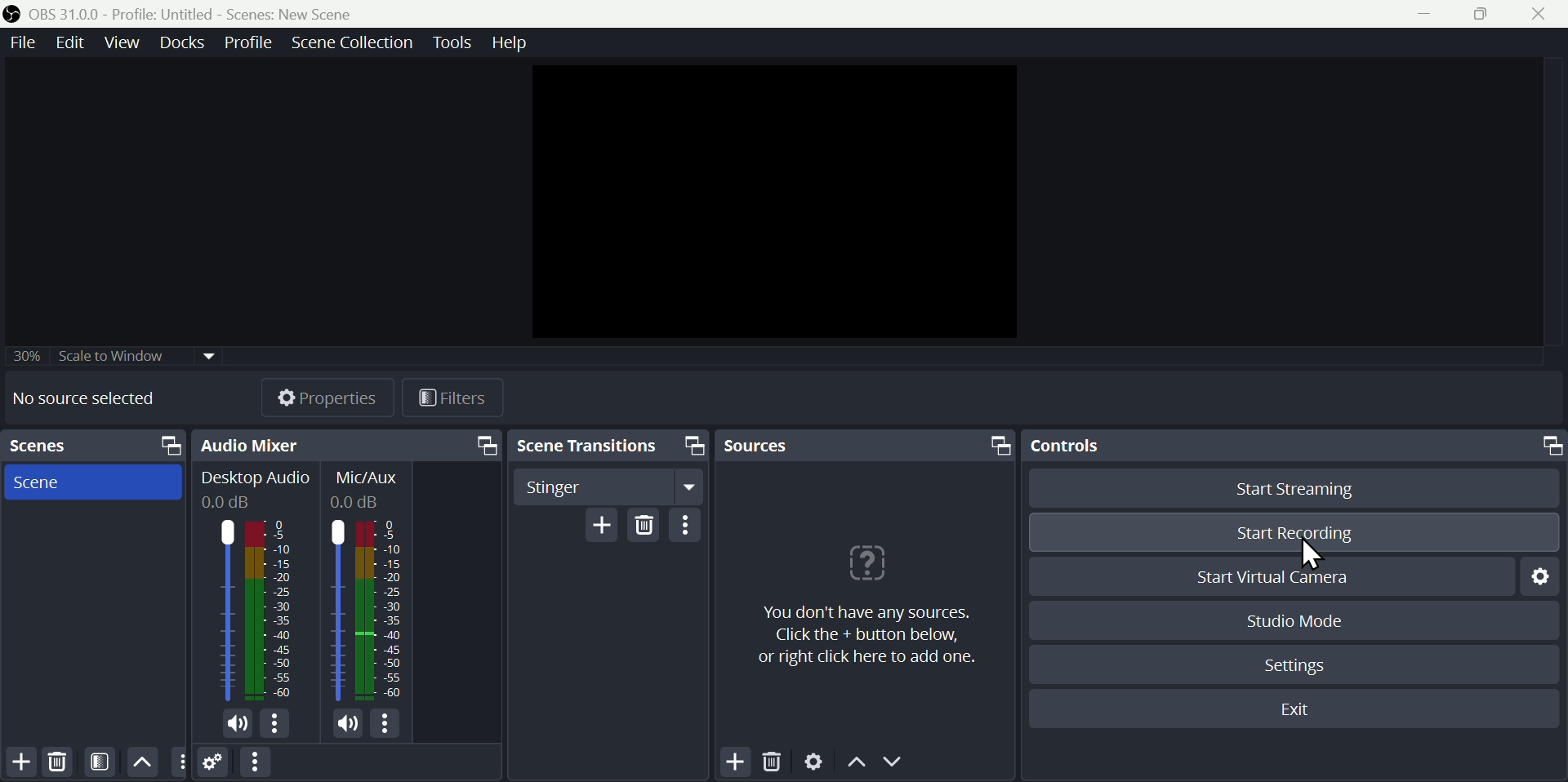  What do you see at coordinates (170, 445) in the screenshot?
I see `maximize` at bounding box center [170, 445].